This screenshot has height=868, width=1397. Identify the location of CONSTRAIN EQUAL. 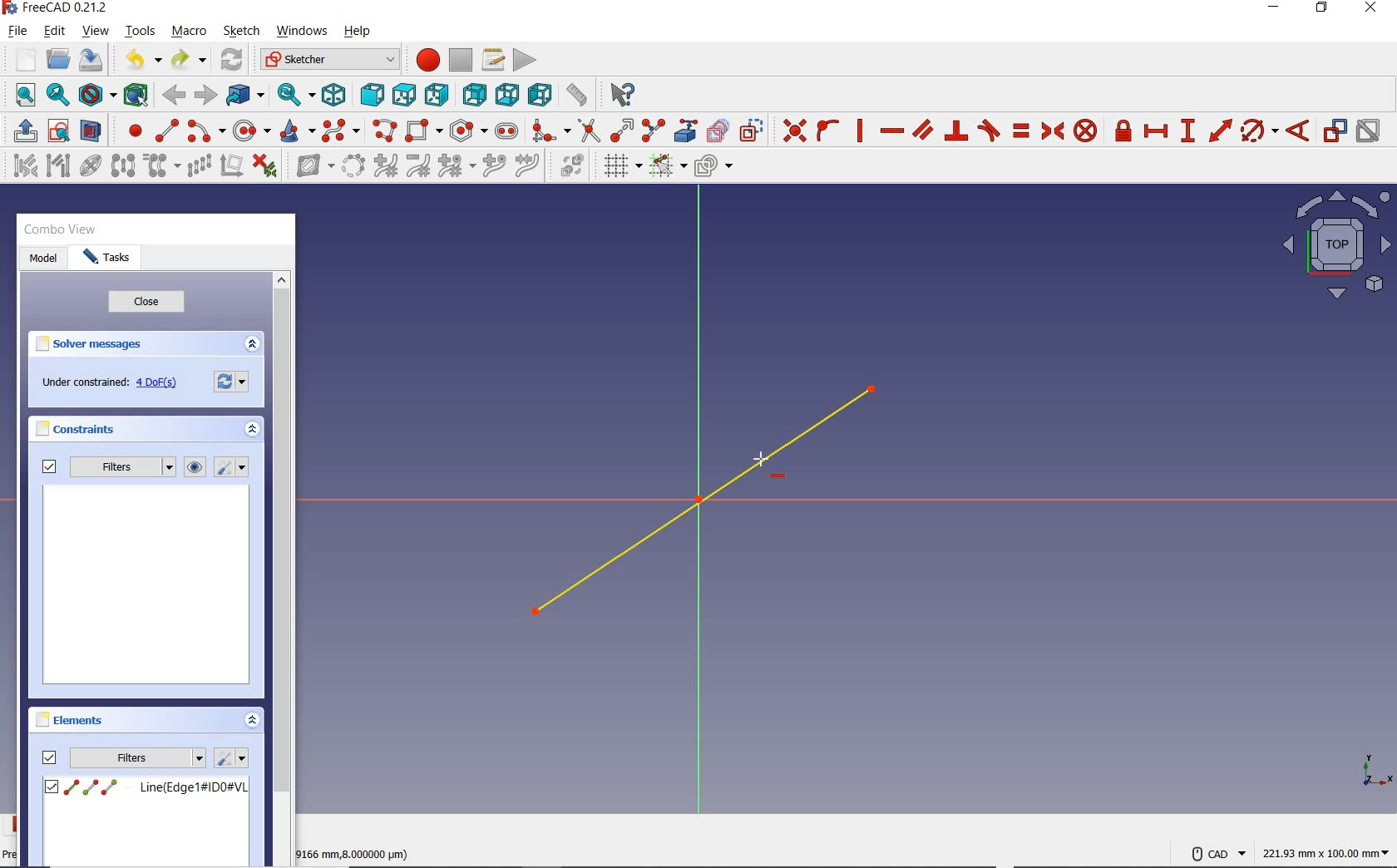
(1022, 131).